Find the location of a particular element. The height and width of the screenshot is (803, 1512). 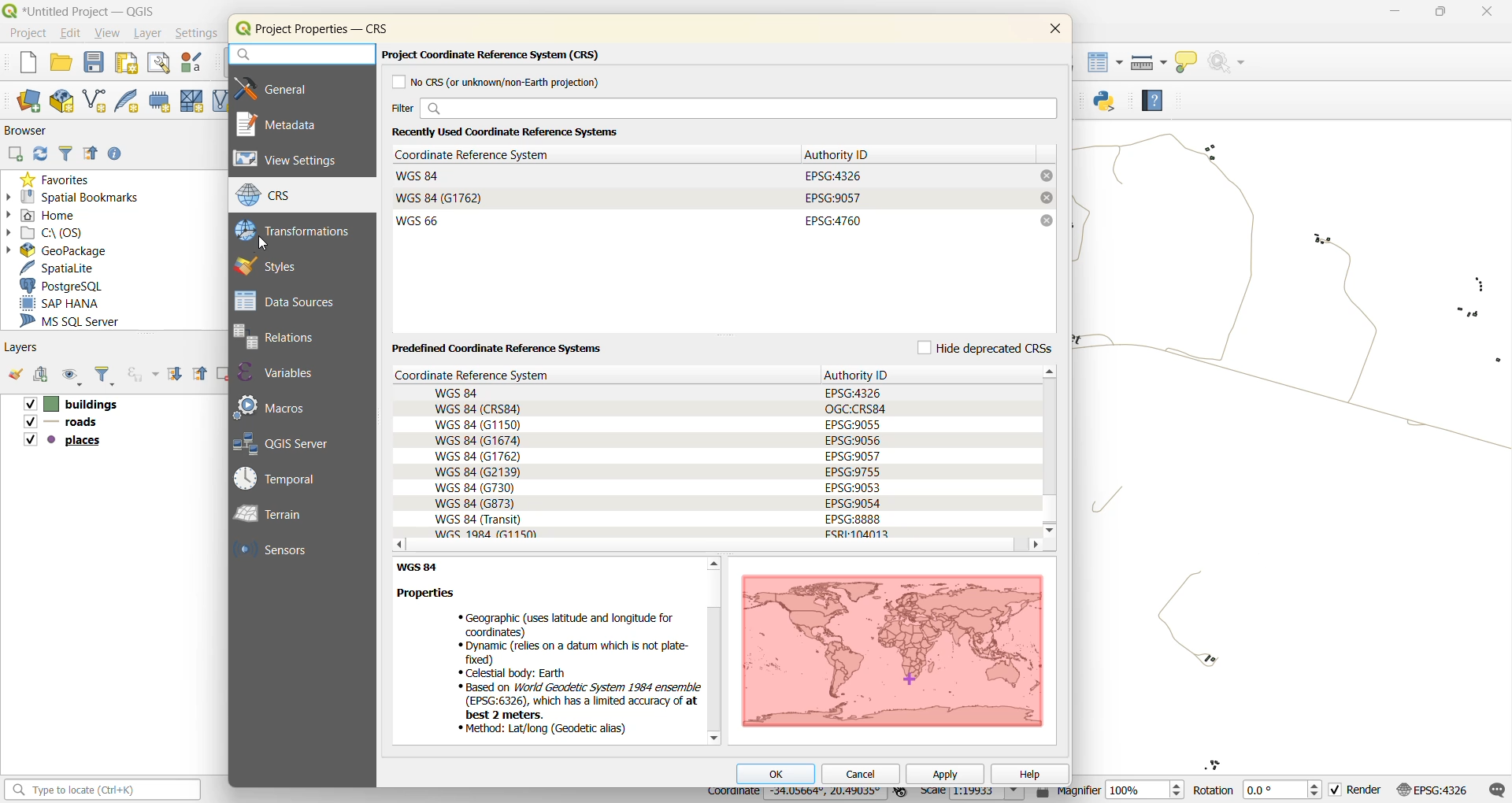

temporary scratch layer is located at coordinates (159, 101).